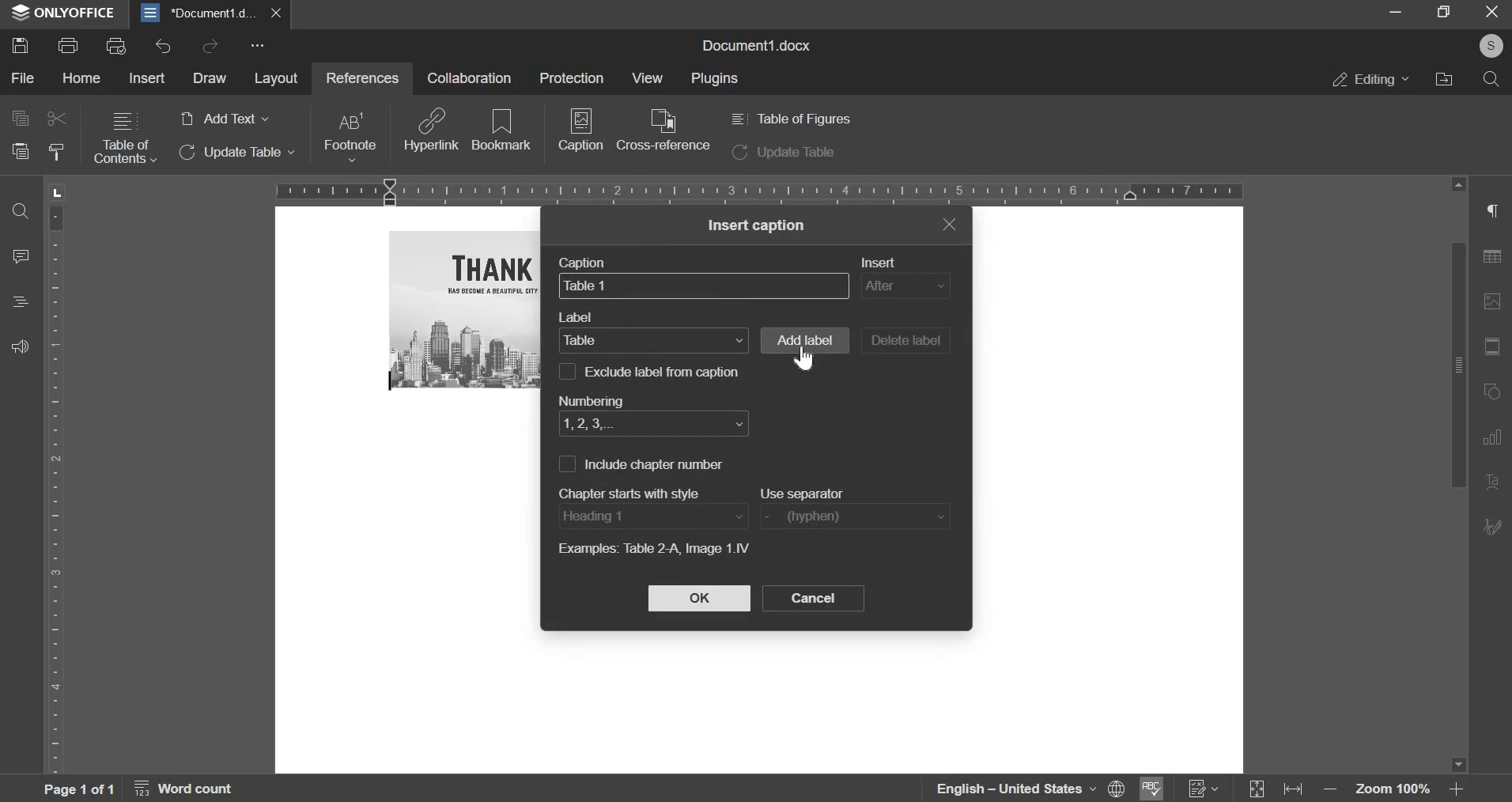  What do you see at coordinates (1495, 348) in the screenshot?
I see `fit` at bounding box center [1495, 348].